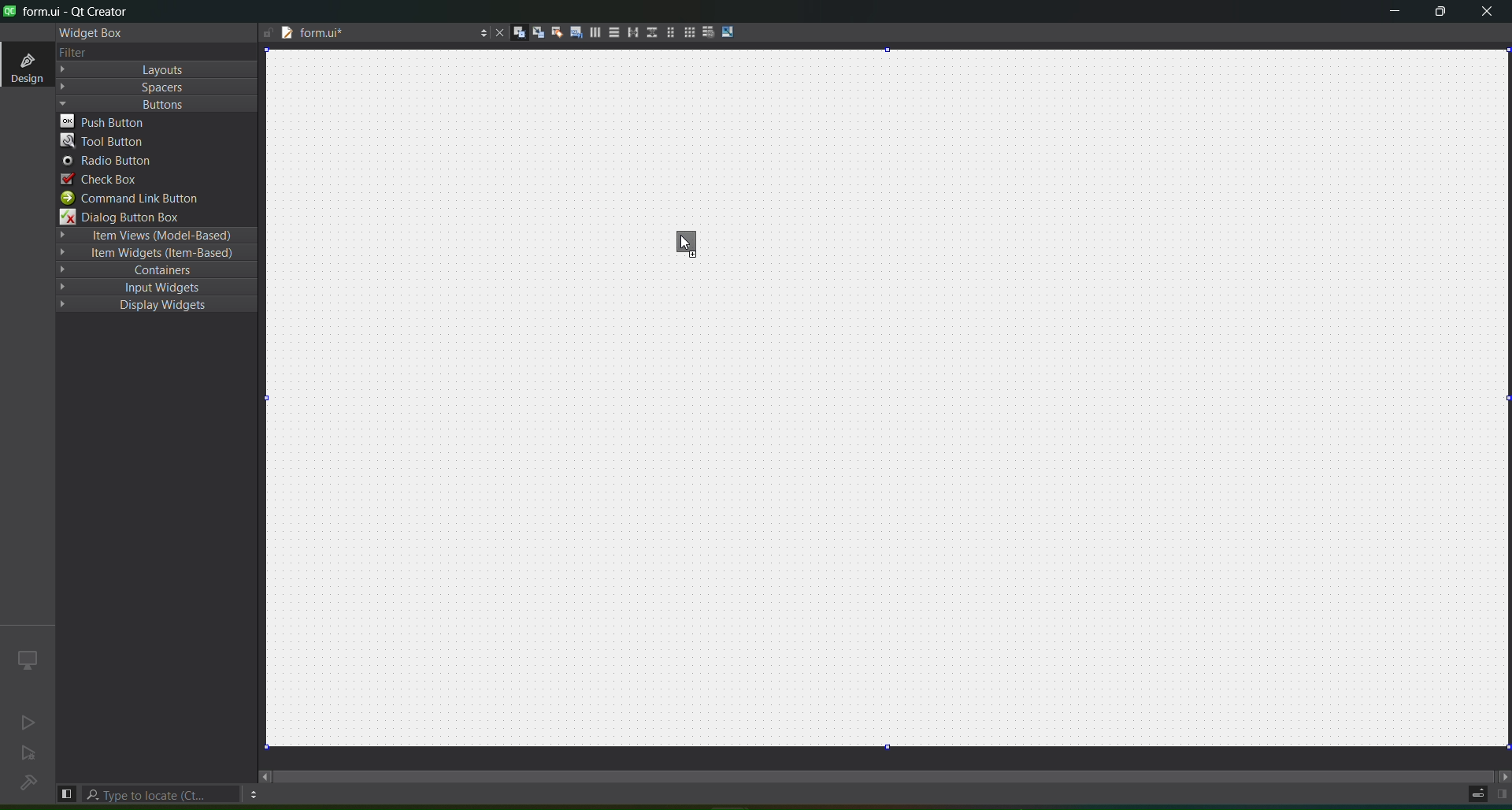 The width and height of the screenshot is (1512, 810). What do you see at coordinates (1438, 13) in the screenshot?
I see `maximize` at bounding box center [1438, 13].